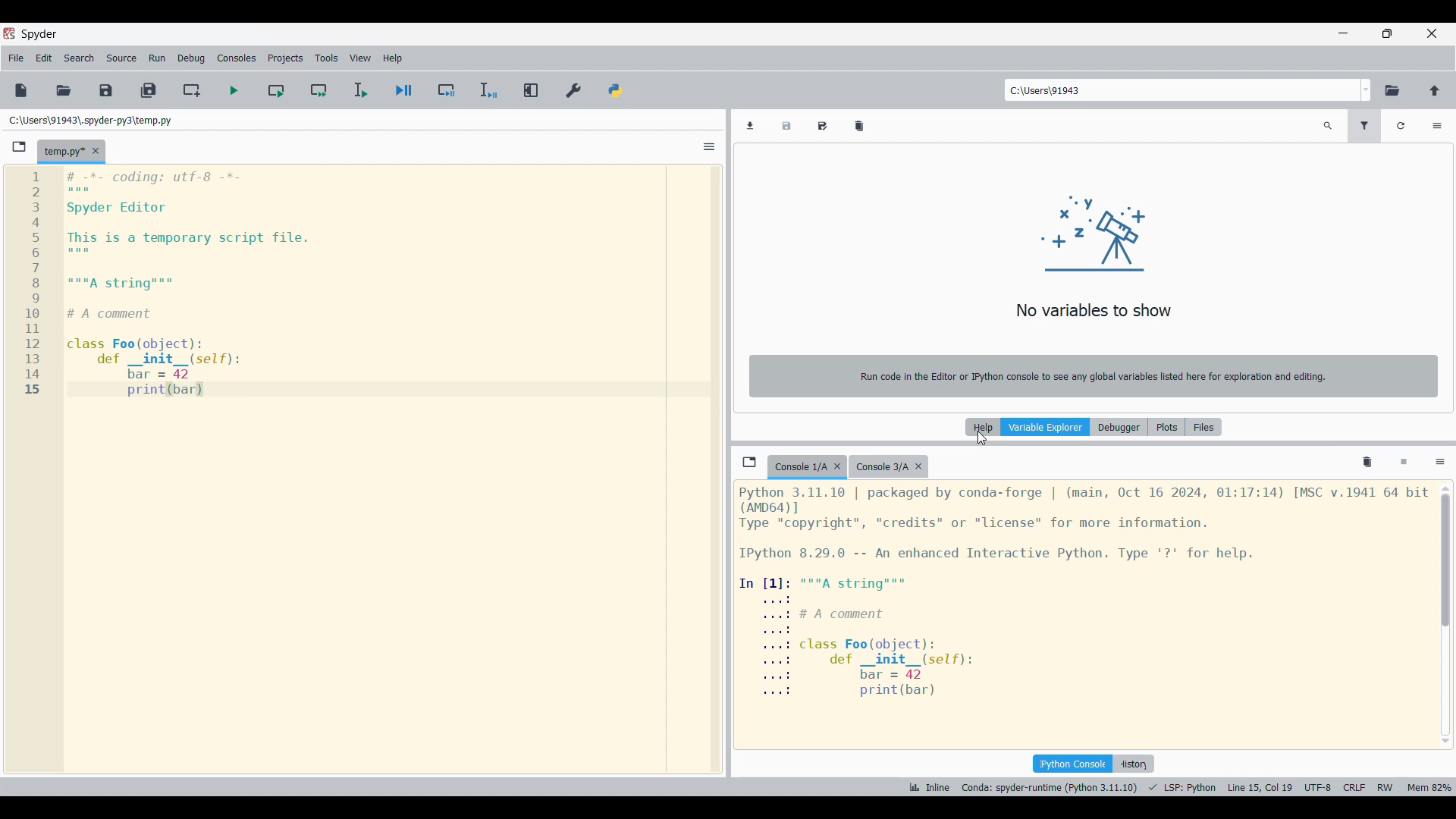  Describe the element at coordinates (44, 58) in the screenshot. I see `Edit menu` at that location.